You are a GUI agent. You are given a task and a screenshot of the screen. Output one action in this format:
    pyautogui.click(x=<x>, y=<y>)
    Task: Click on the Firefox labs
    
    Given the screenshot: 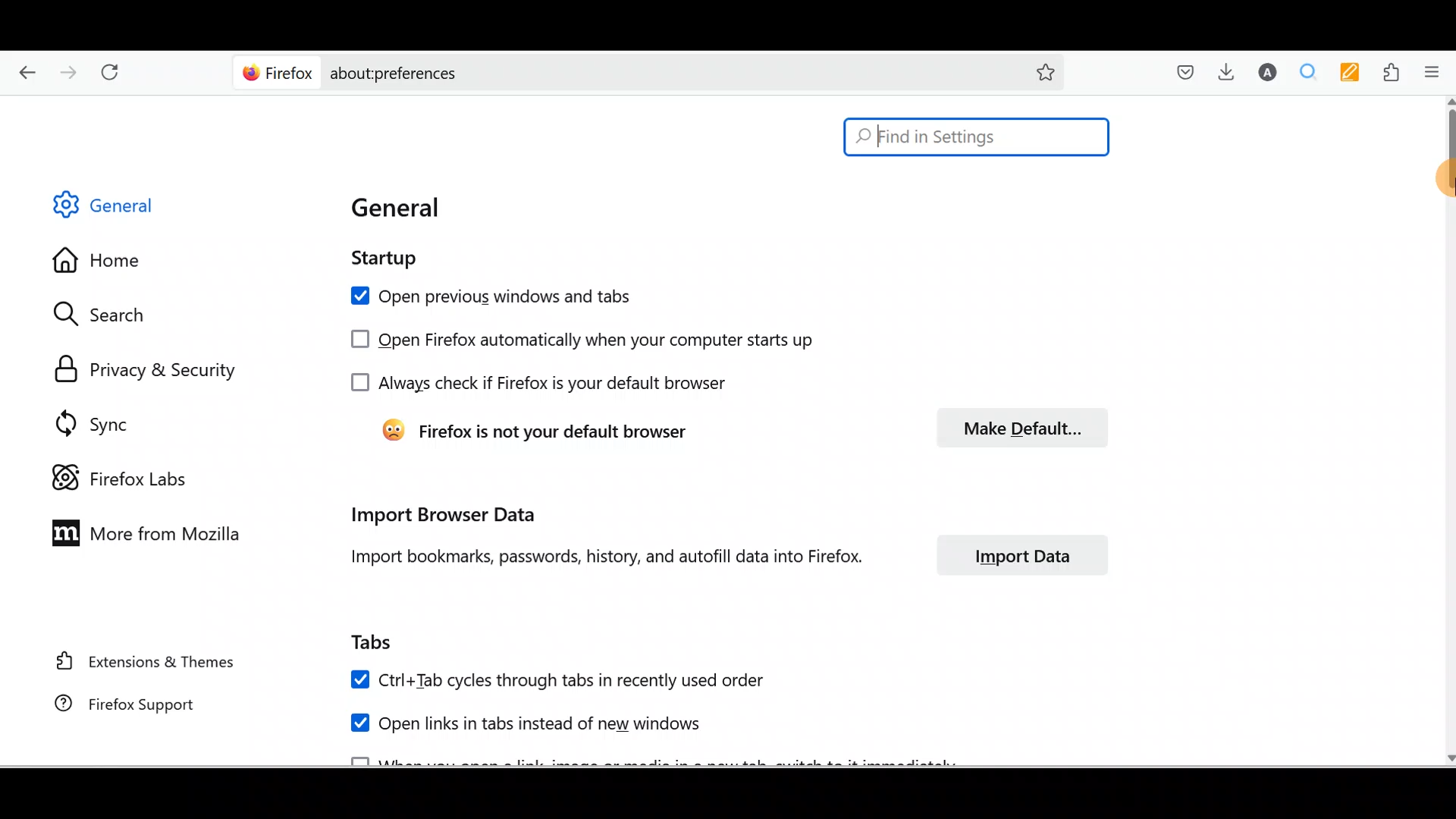 What is the action you would take?
    pyautogui.click(x=115, y=470)
    